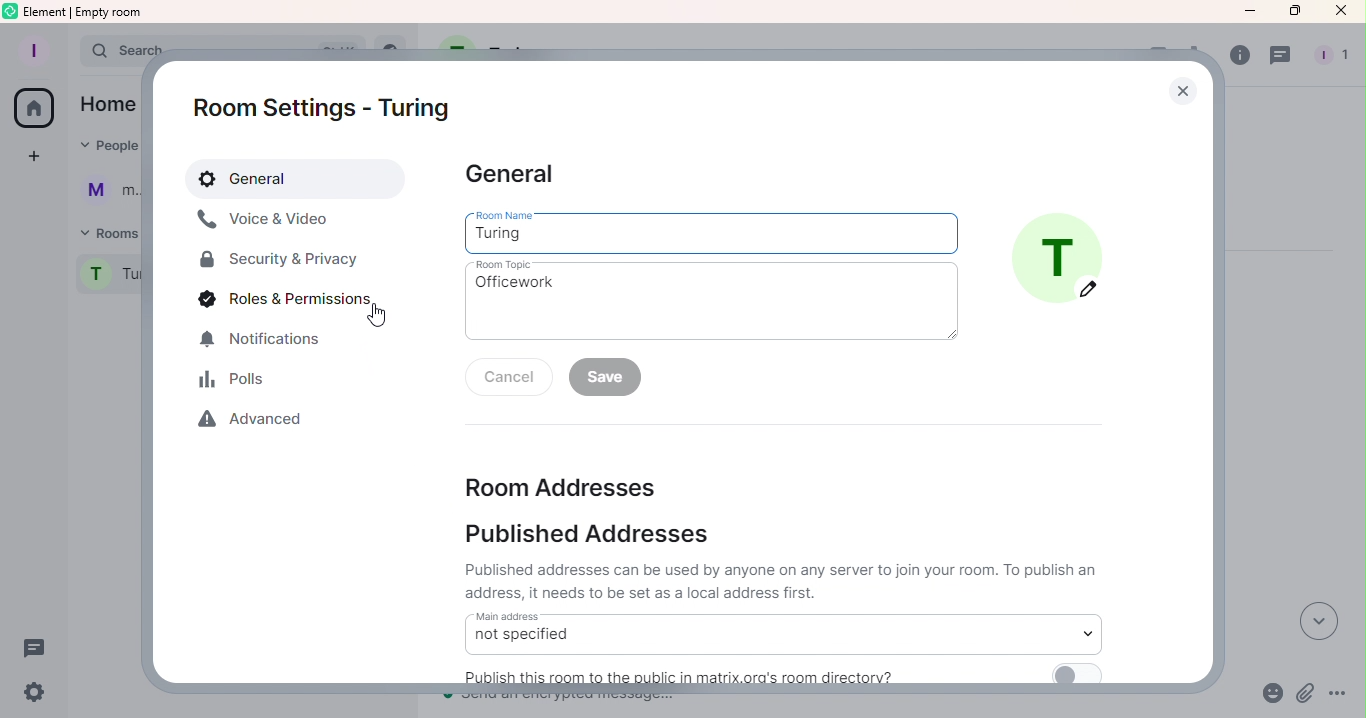 The image size is (1366, 718). I want to click on Attachment, so click(1303, 696).